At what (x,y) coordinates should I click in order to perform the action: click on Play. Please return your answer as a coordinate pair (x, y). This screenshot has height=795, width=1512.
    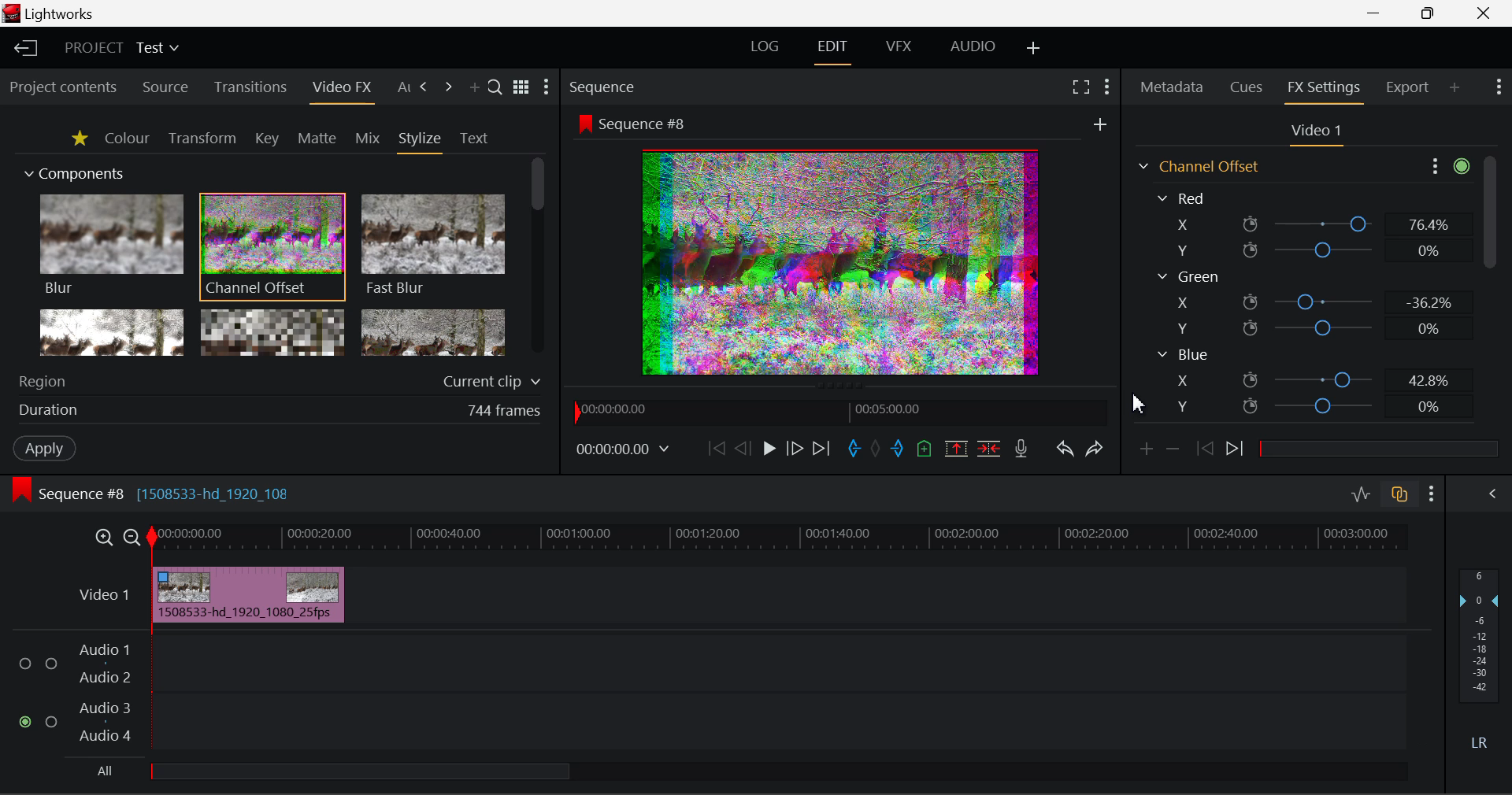
    Looking at the image, I should click on (767, 449).